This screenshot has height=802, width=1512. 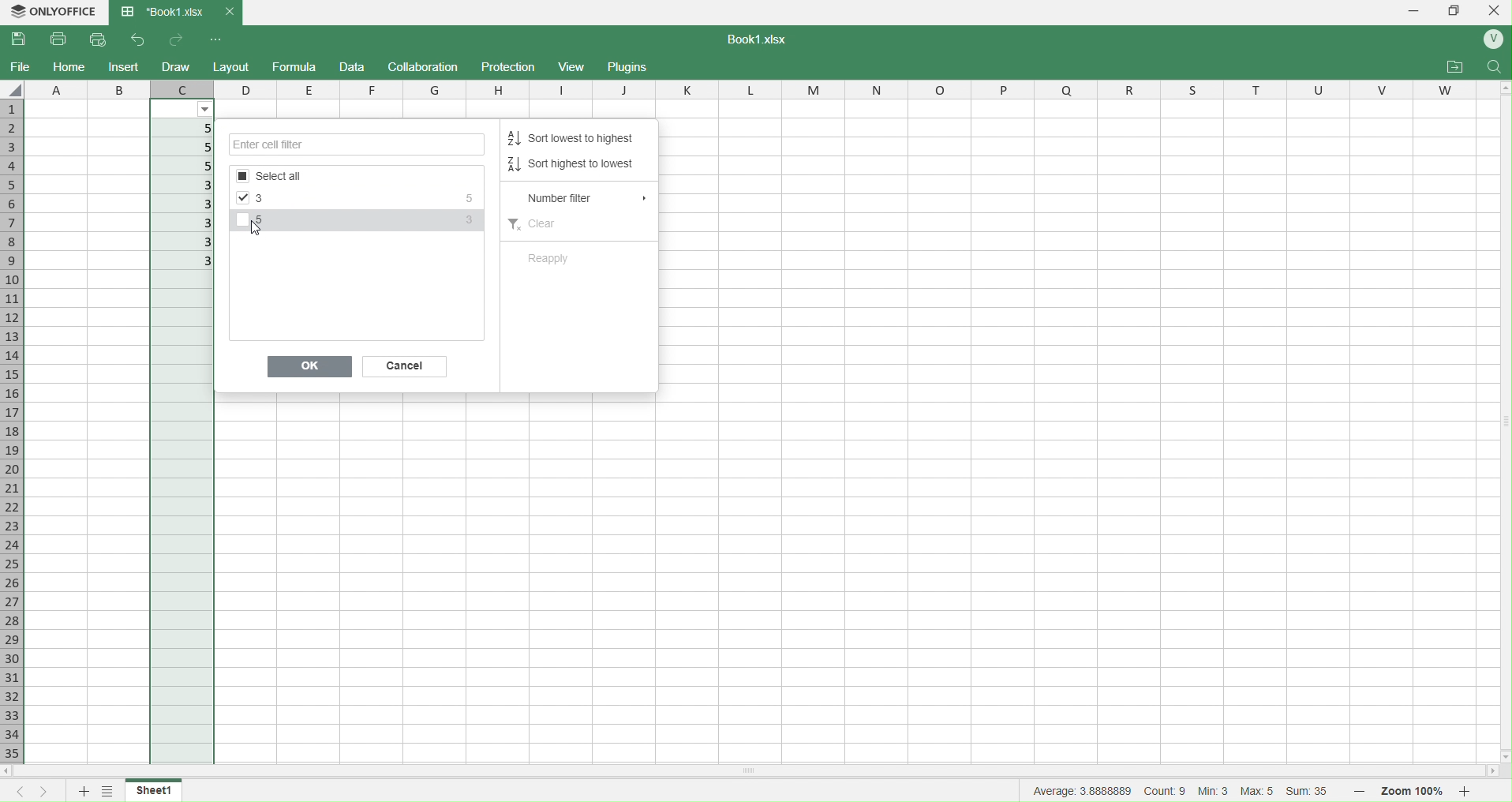 What do you see at coordinates (351, 67) in the screenshot?
I see `Draft` at bounding box center [351, 67].